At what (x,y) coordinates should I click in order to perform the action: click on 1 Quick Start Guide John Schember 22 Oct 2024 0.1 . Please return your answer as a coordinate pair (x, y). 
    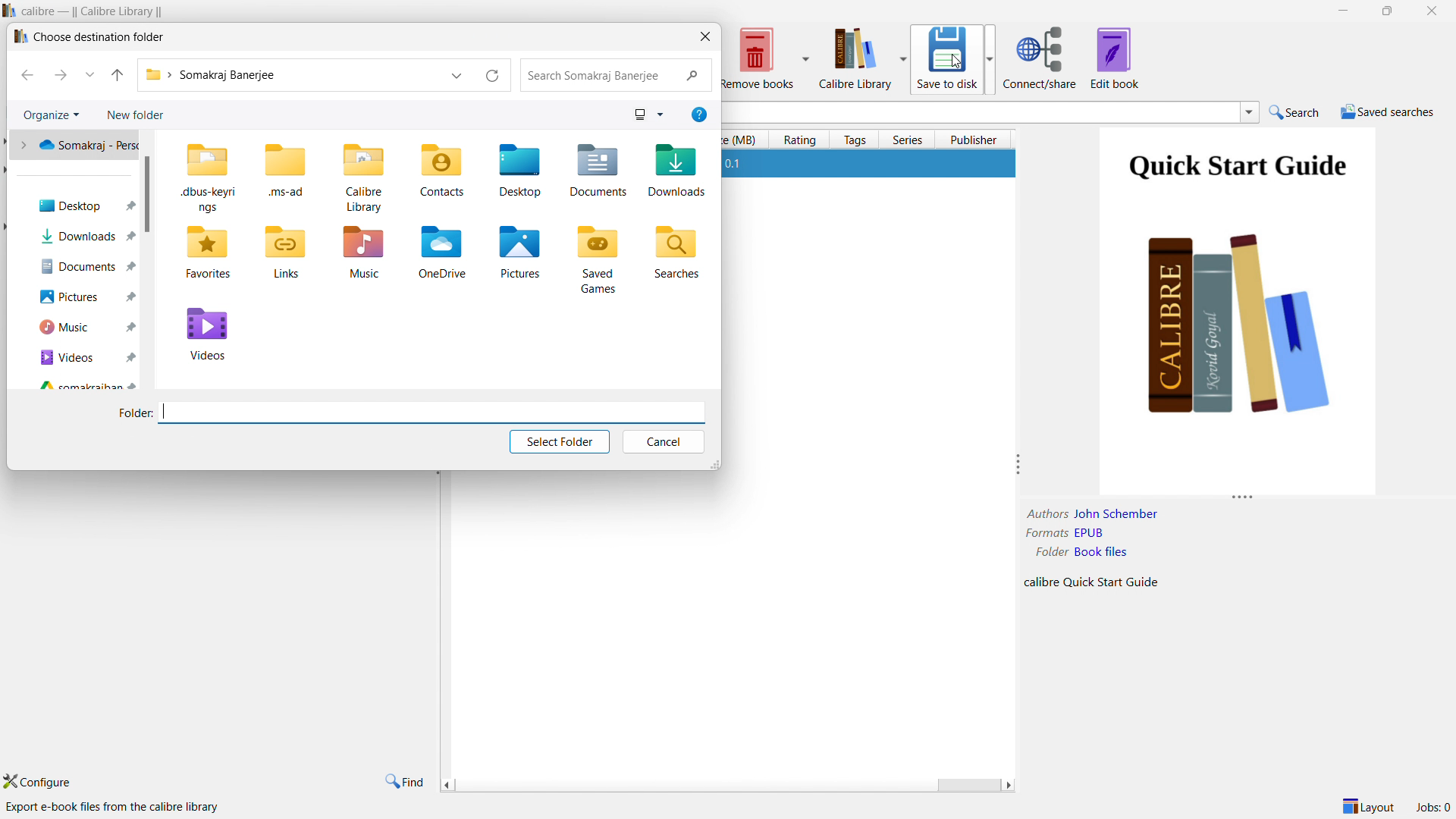
    Looking at the image, I should click on (868, 164).